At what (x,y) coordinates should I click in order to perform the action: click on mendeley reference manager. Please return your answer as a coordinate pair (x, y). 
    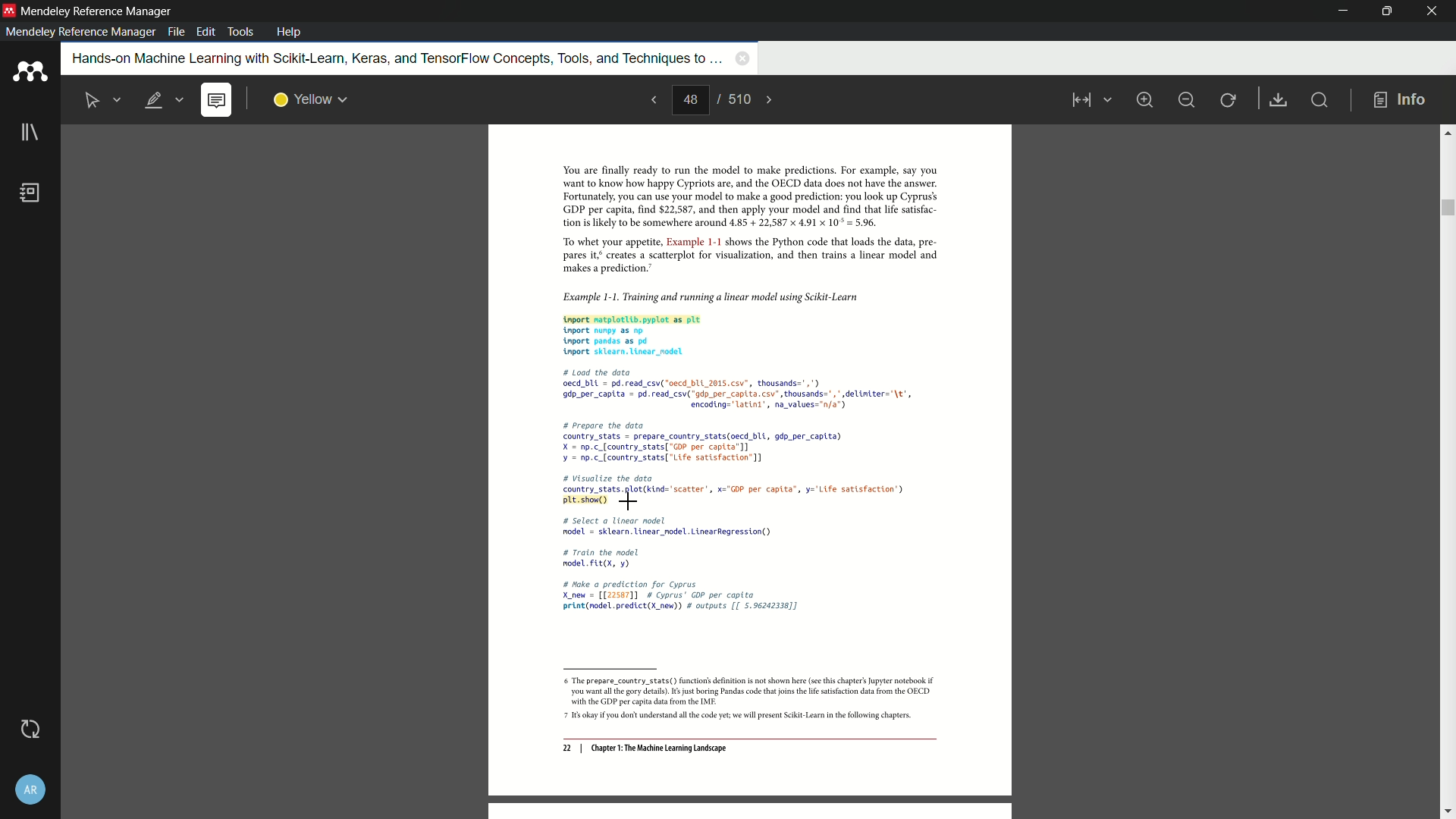
    Looking at the image, I should click on (80, 32).